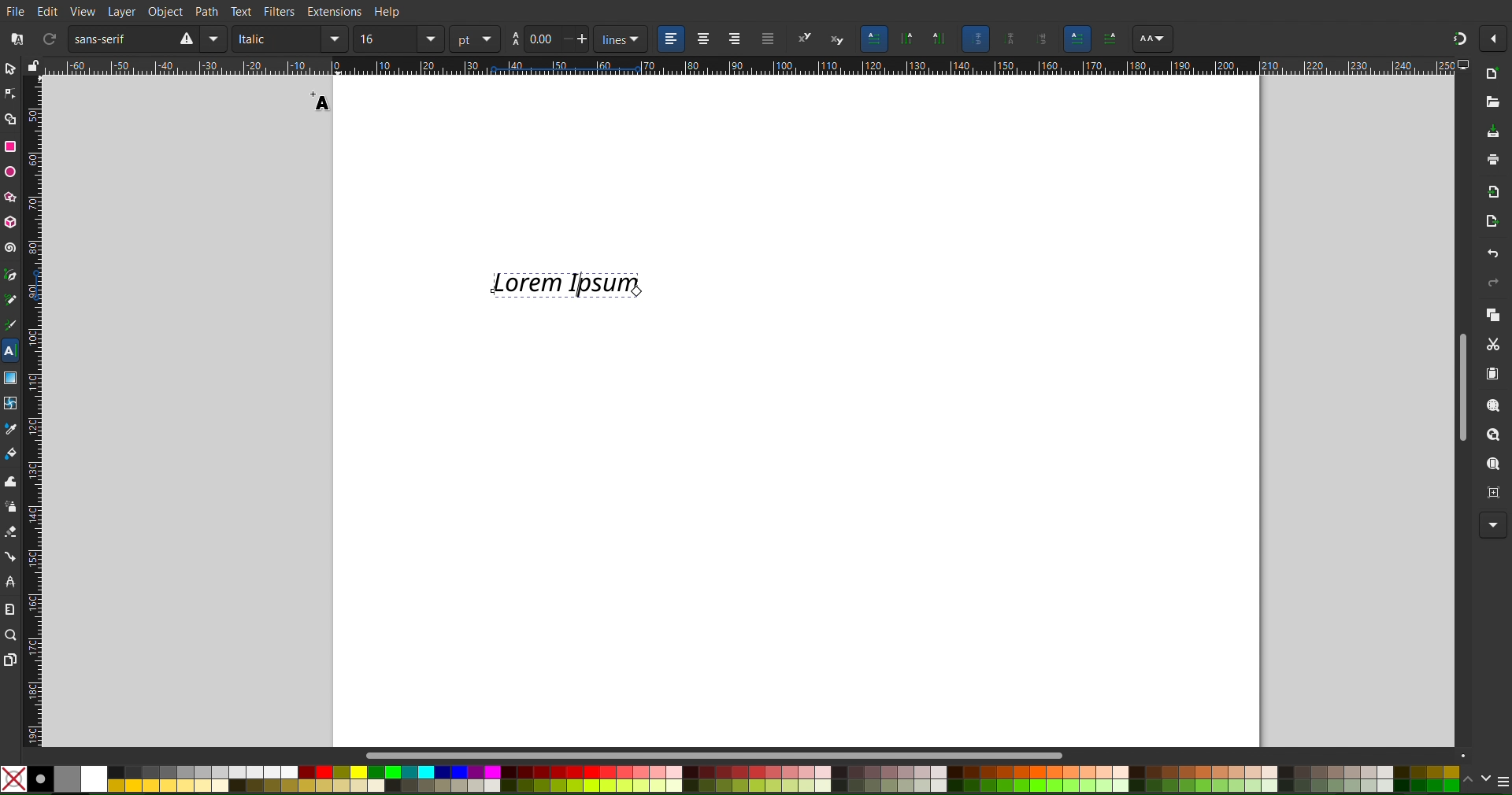 This screenshot has width=1512, height=795. What do you see at coordinates (1488, 405) in the screenshot?
I see `Zoom Selection` at bounding box center [1488, 405].